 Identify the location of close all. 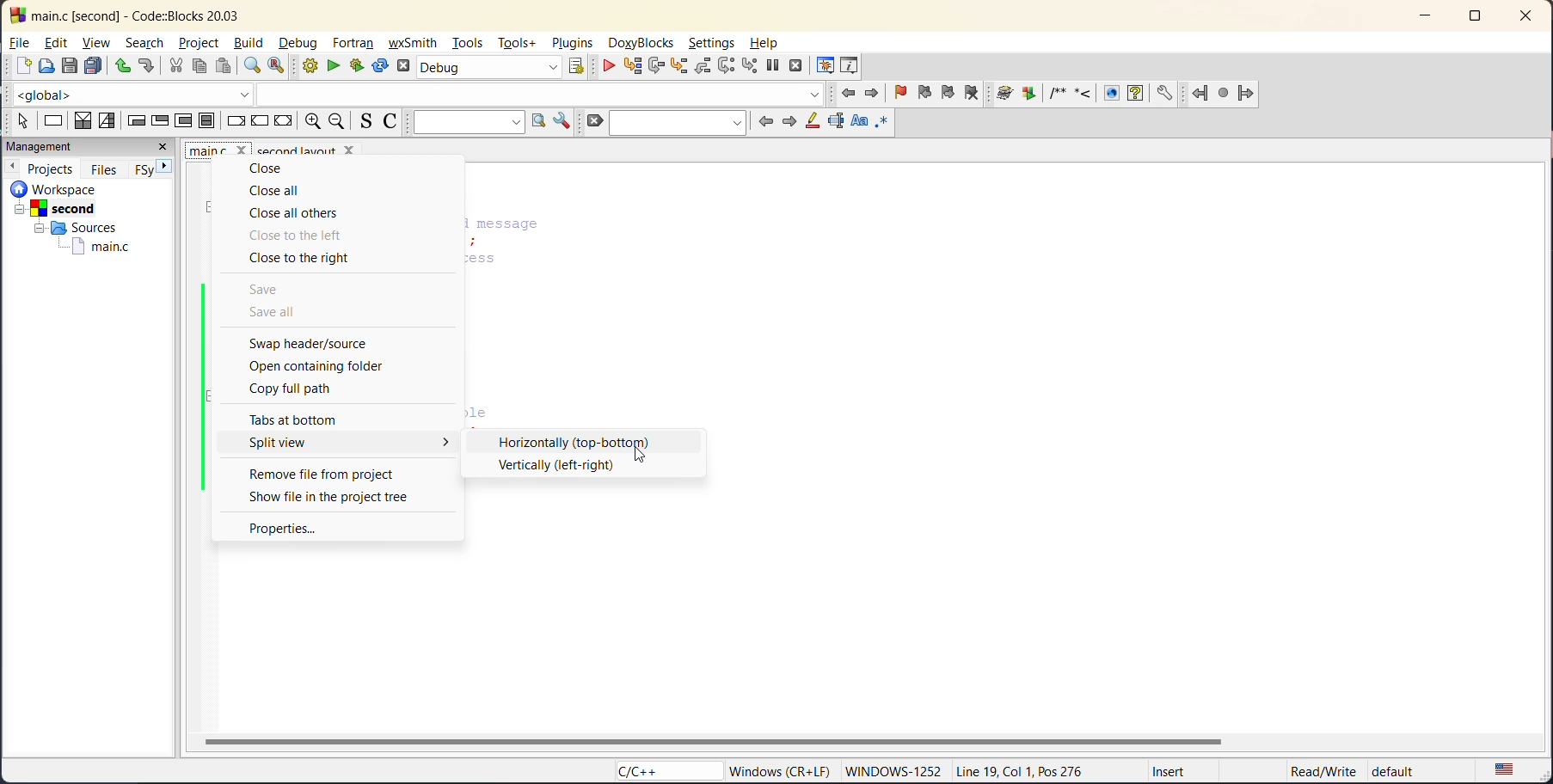
(277, 191).